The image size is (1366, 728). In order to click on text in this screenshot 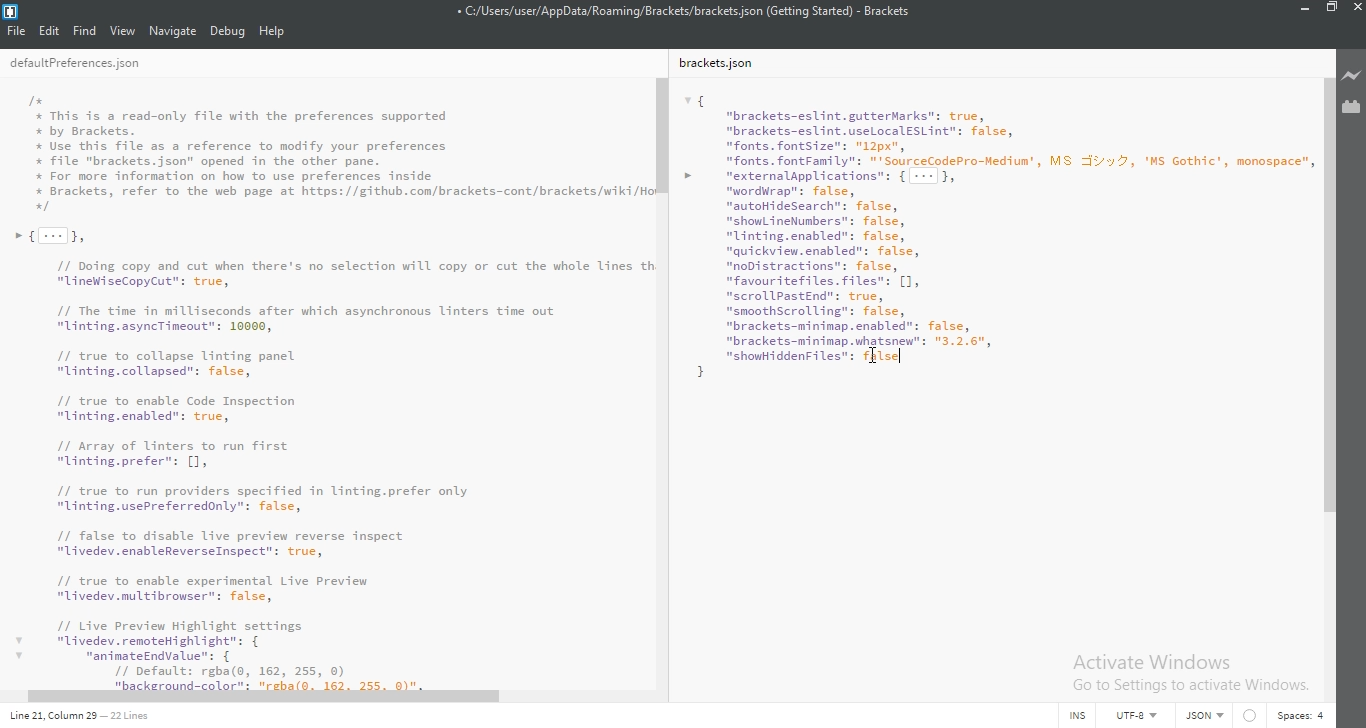, I will do `click(1209, 716)`.